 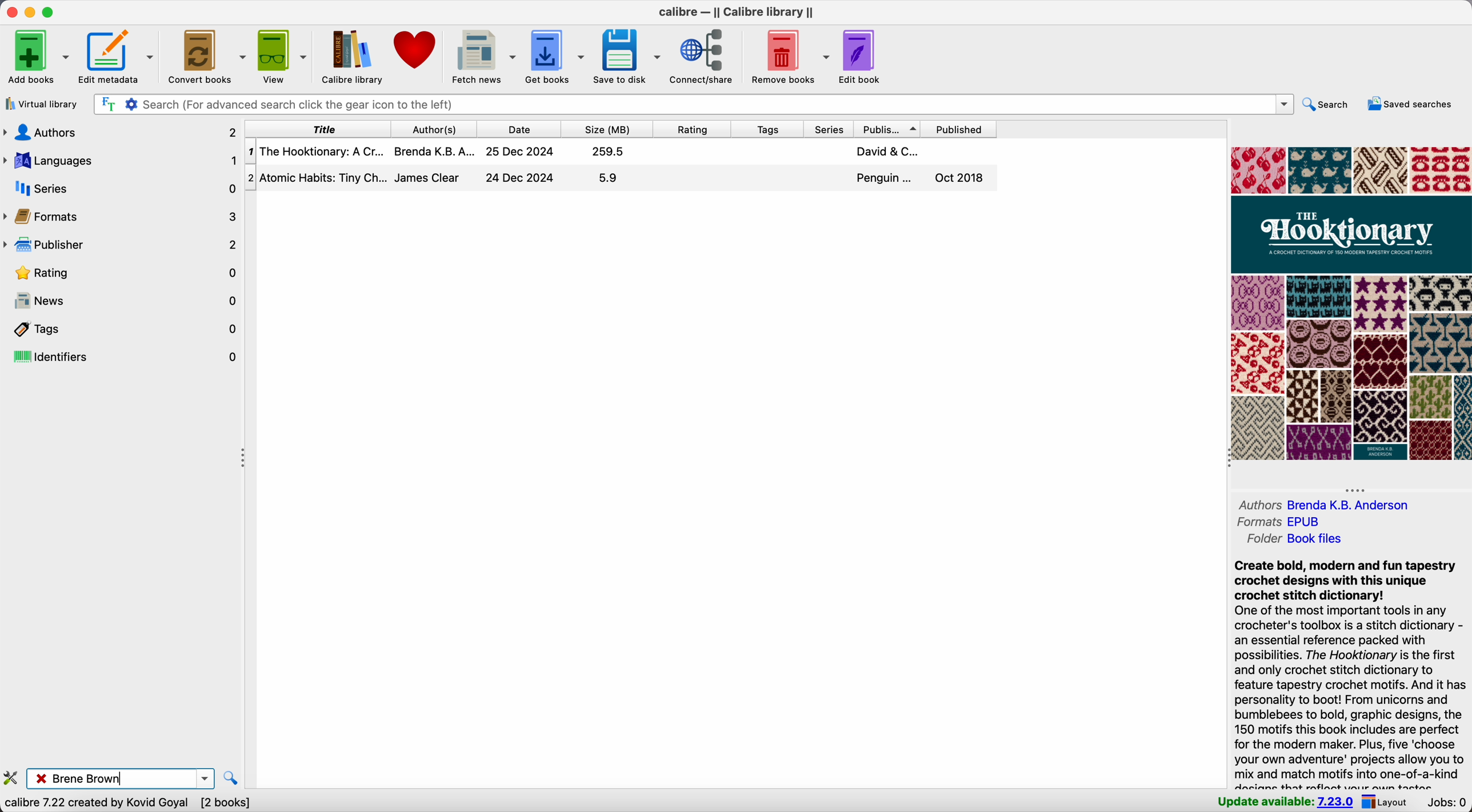 I want to click on series, so click(x=121, y=188).